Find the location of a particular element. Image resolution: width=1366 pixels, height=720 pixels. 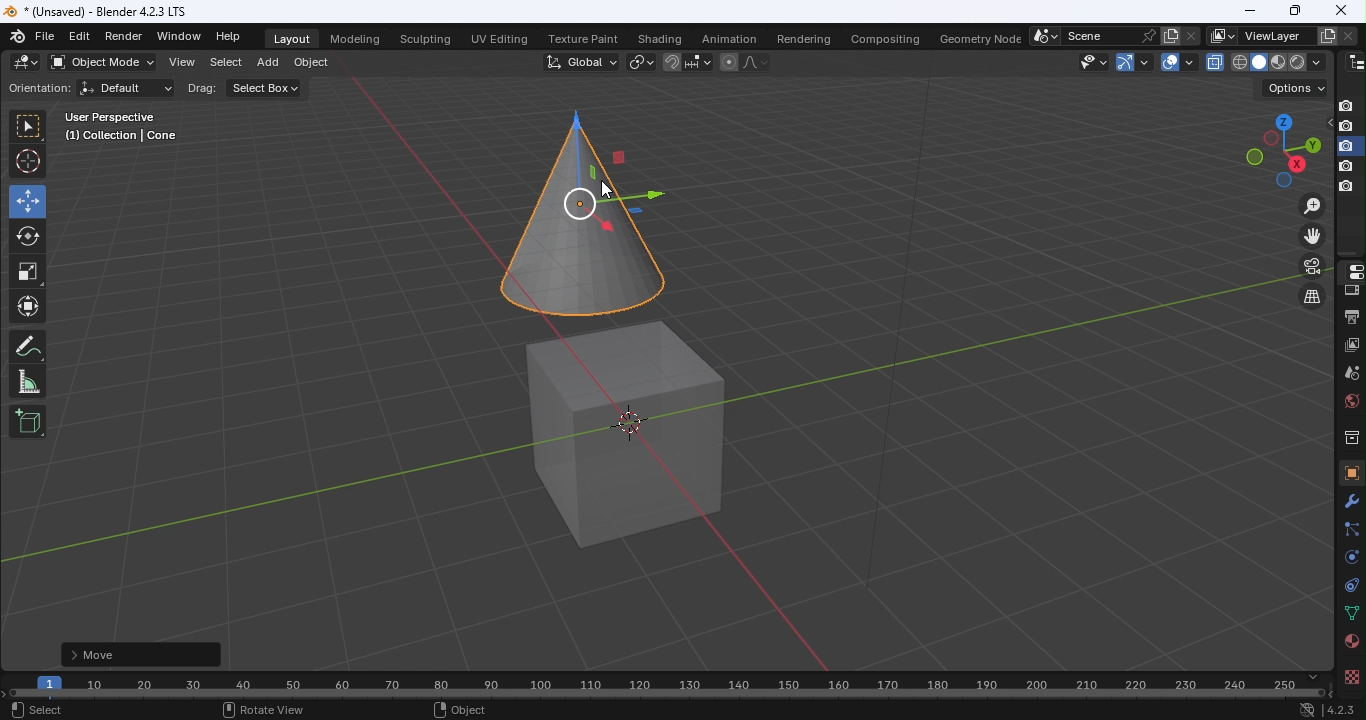

Rotate the view is located at coordinates (1254, 157).